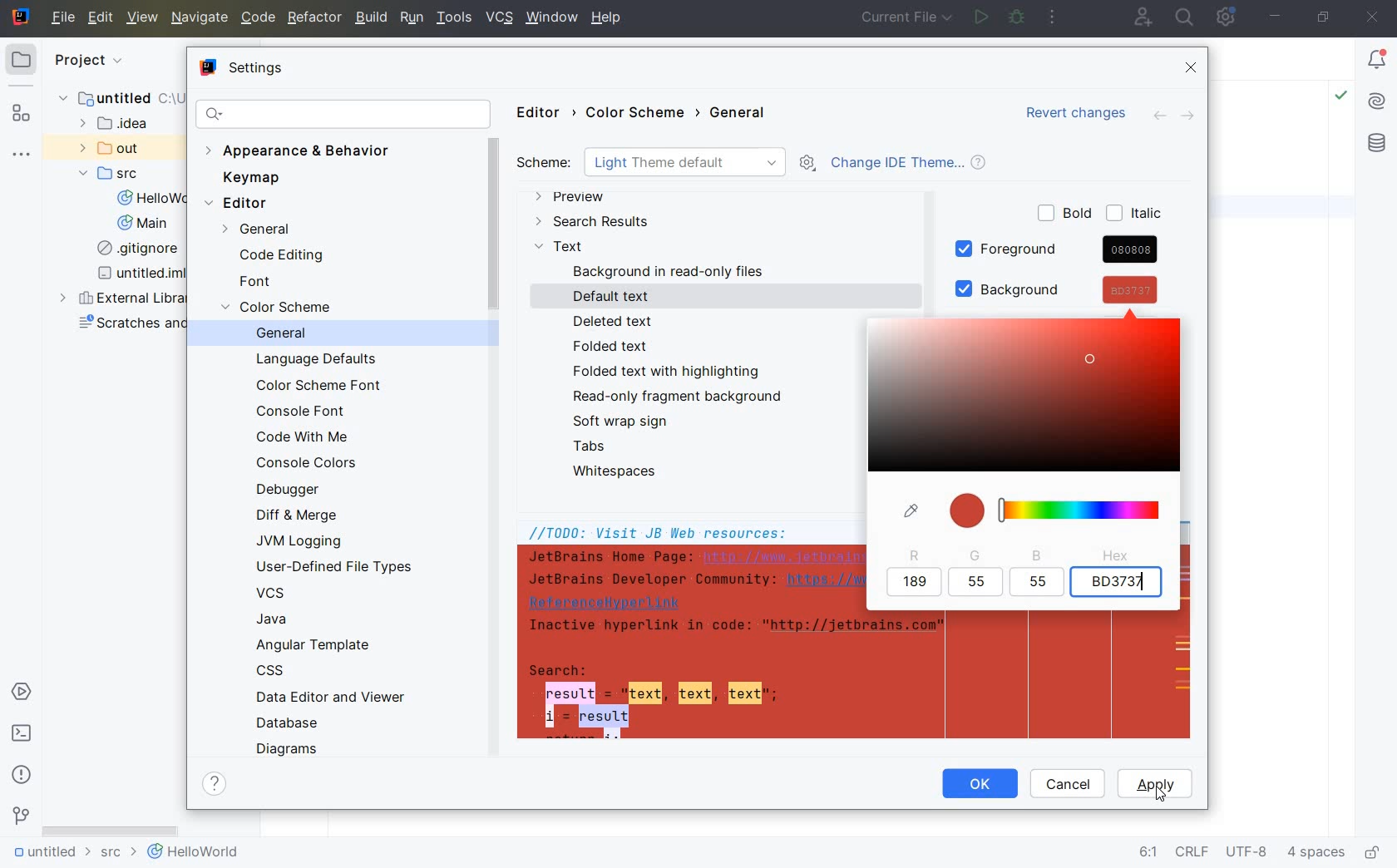 This screenshot has height=868, width=1397. I want to click on idea, so click(126, 125).